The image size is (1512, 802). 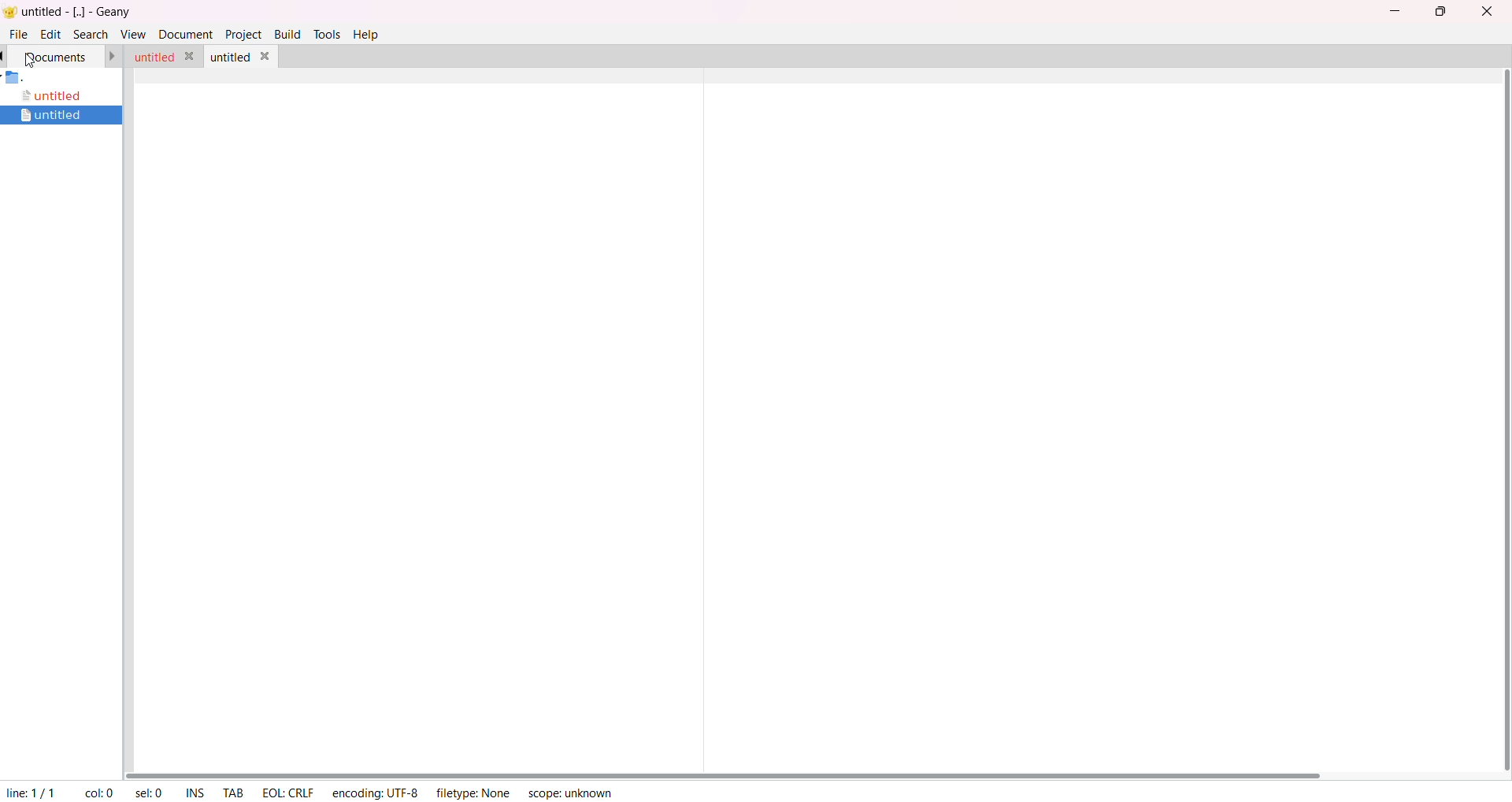 I want to click on tab, so click(x=237, y=790).